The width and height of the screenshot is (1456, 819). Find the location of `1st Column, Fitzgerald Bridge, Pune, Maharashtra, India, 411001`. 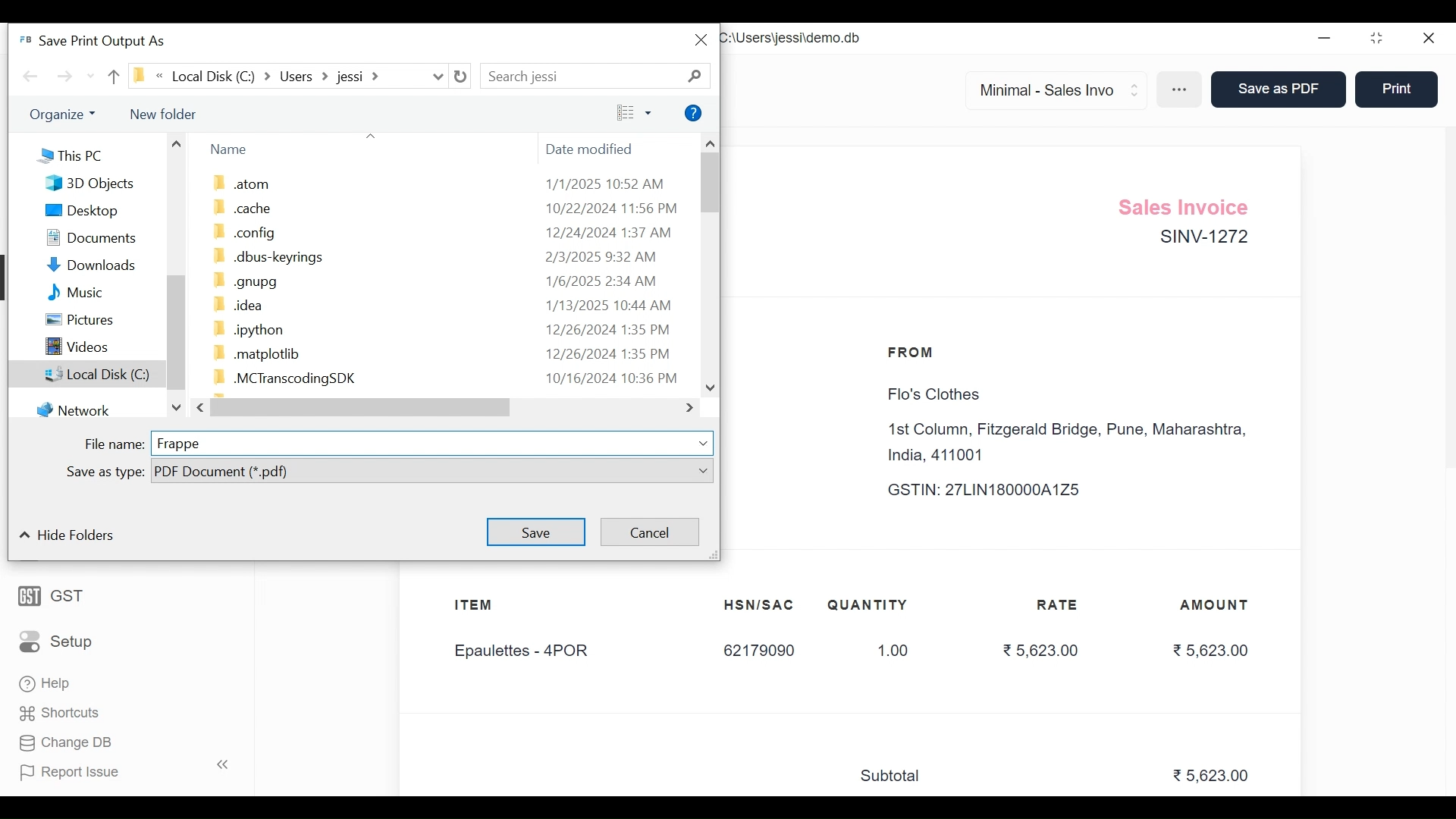

1st Column, Fitzgerald Bridge, Pune, Maharashtra, India, 411001 is located at coordinates (1072, 443).